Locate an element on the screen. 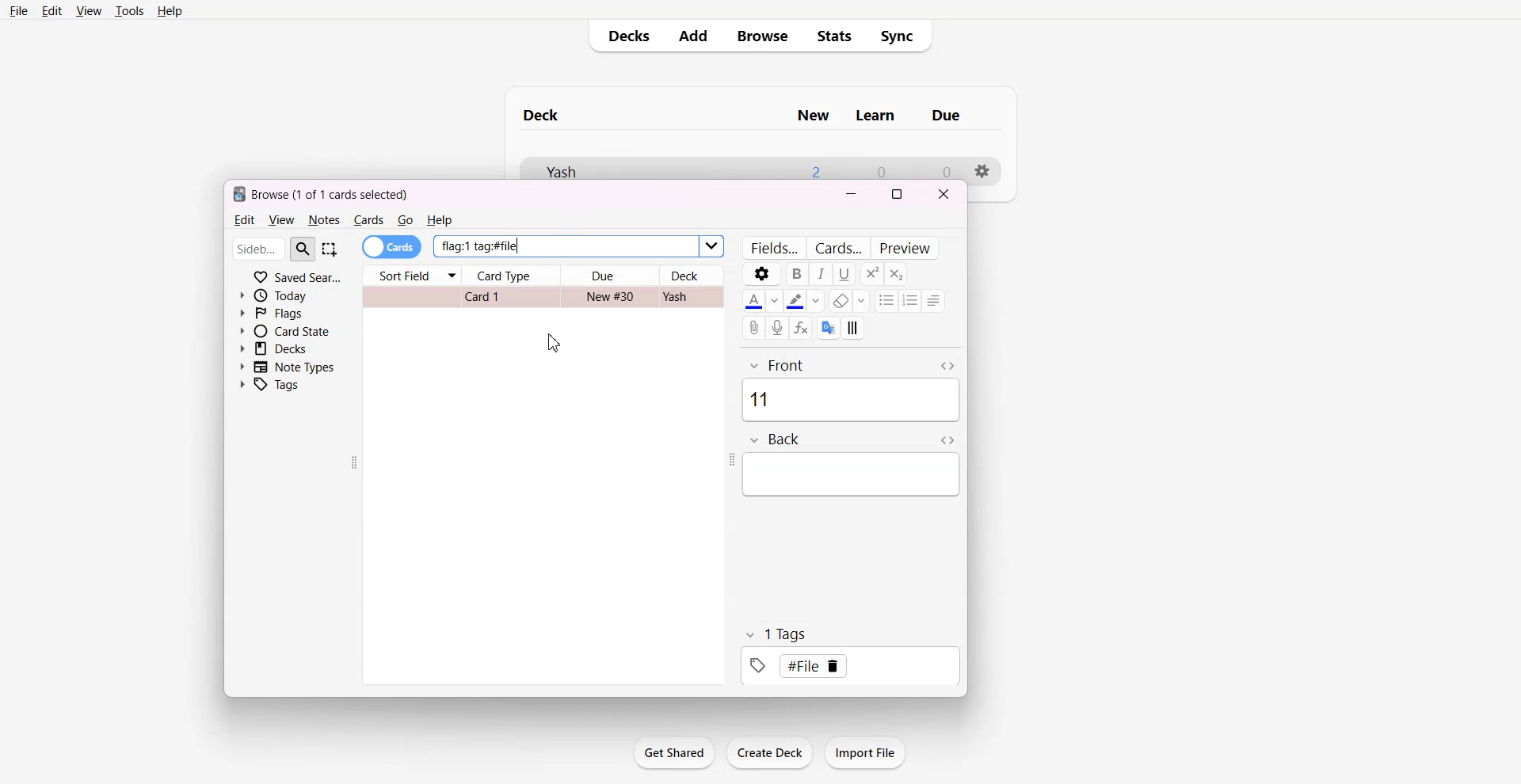 This screenshot has height=784, width=1521. Stats is located at coordinates (833, 36).